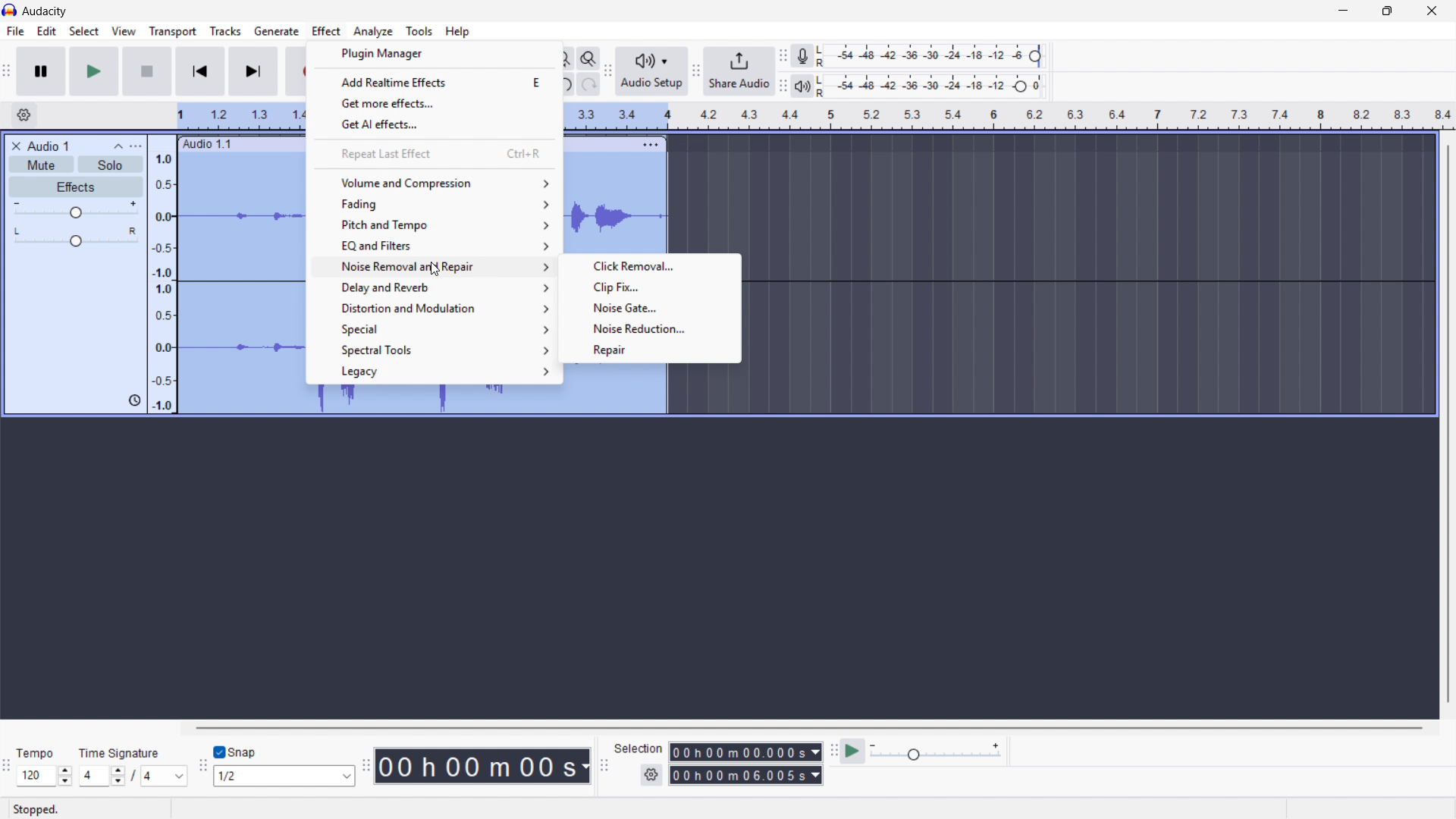  What do you see at coordinates (225, 30) in the screenshot?
I see `Tracks` at bounding box center [225, 30].